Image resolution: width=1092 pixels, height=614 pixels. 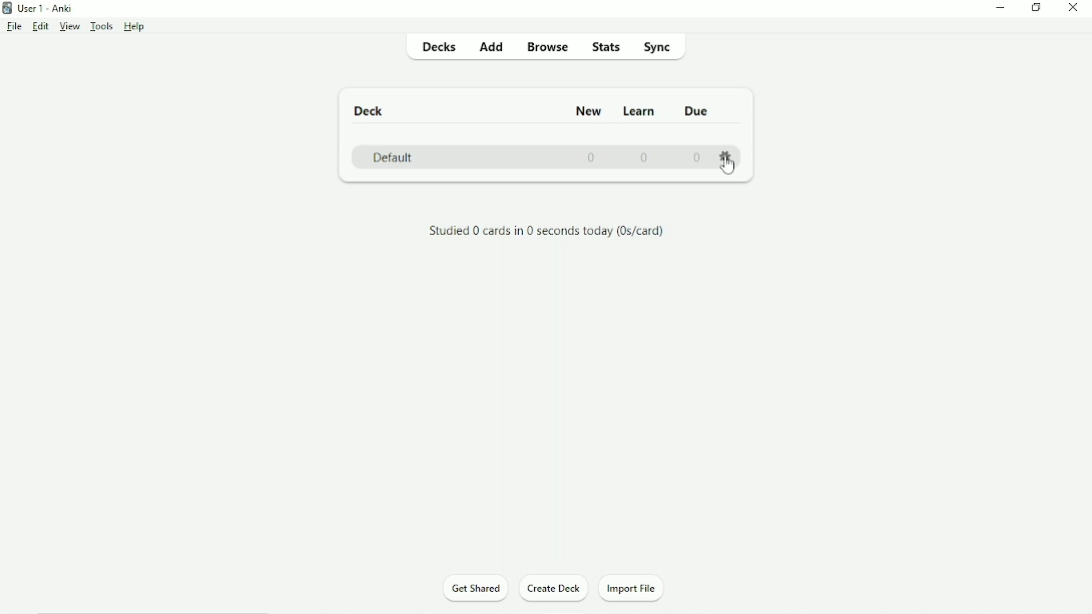 I want to click on New, so click(x=588, y=111).